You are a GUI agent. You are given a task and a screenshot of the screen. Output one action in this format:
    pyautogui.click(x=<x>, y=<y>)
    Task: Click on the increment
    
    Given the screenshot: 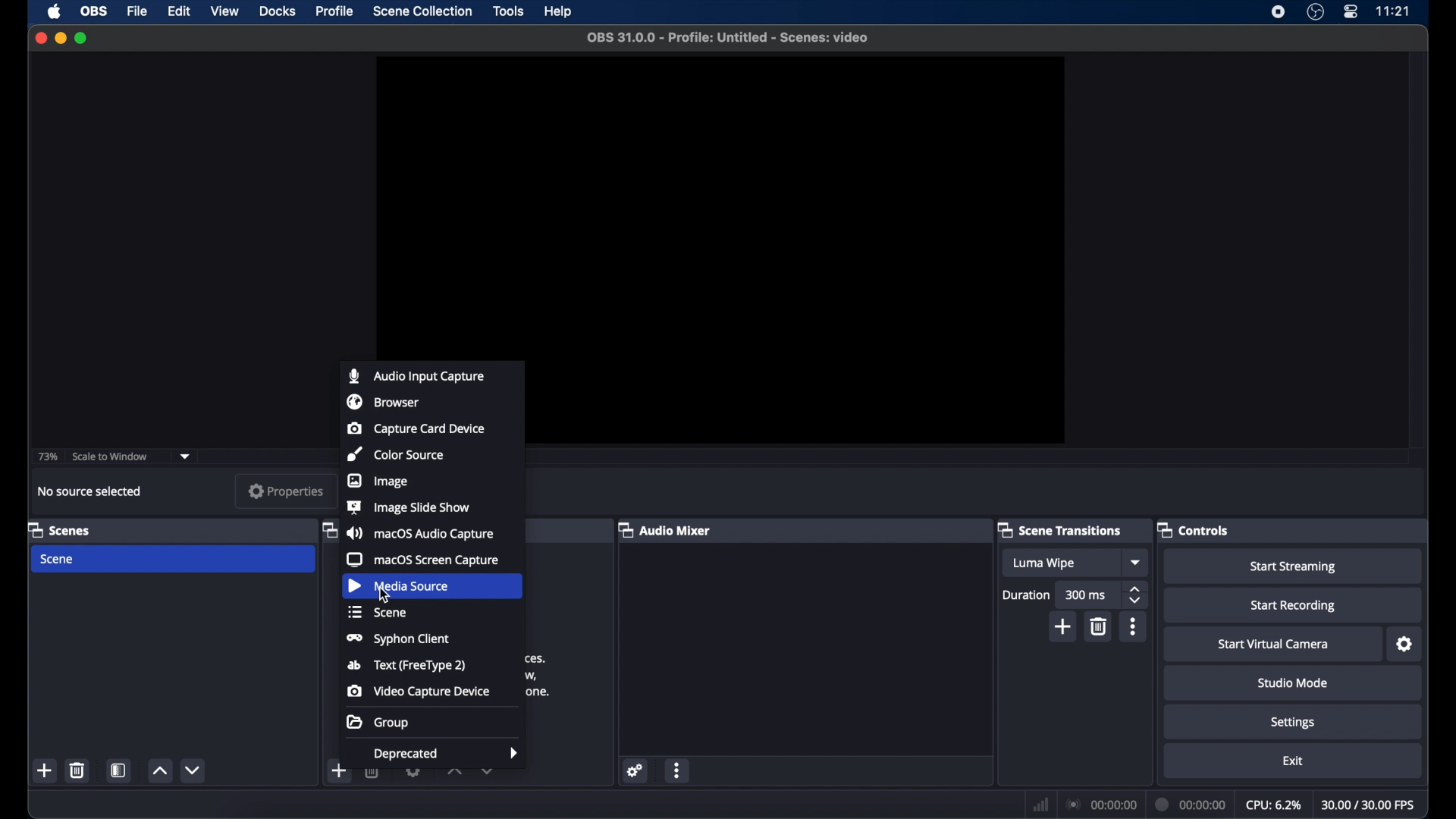 What is the action you would take?
    pyautogui.click(x=159, y=770)
    